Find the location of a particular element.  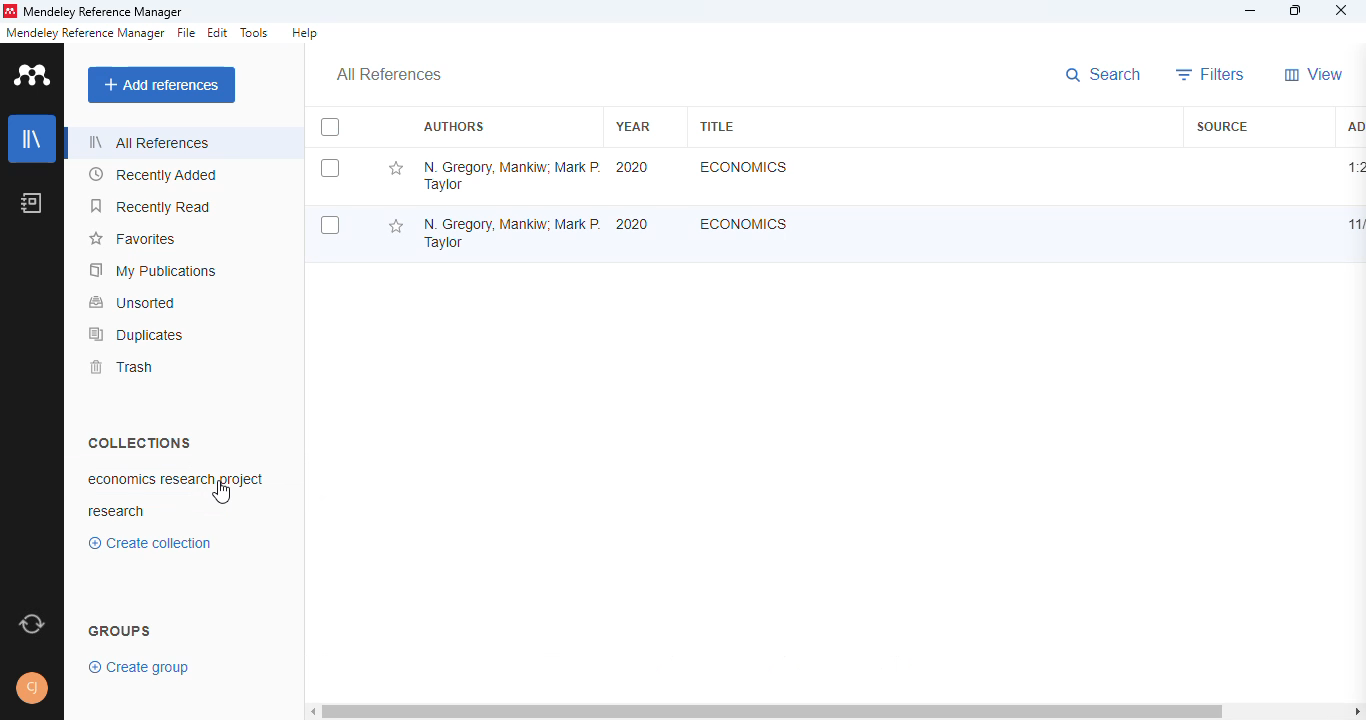

close is located at coordinates (1341, 12).